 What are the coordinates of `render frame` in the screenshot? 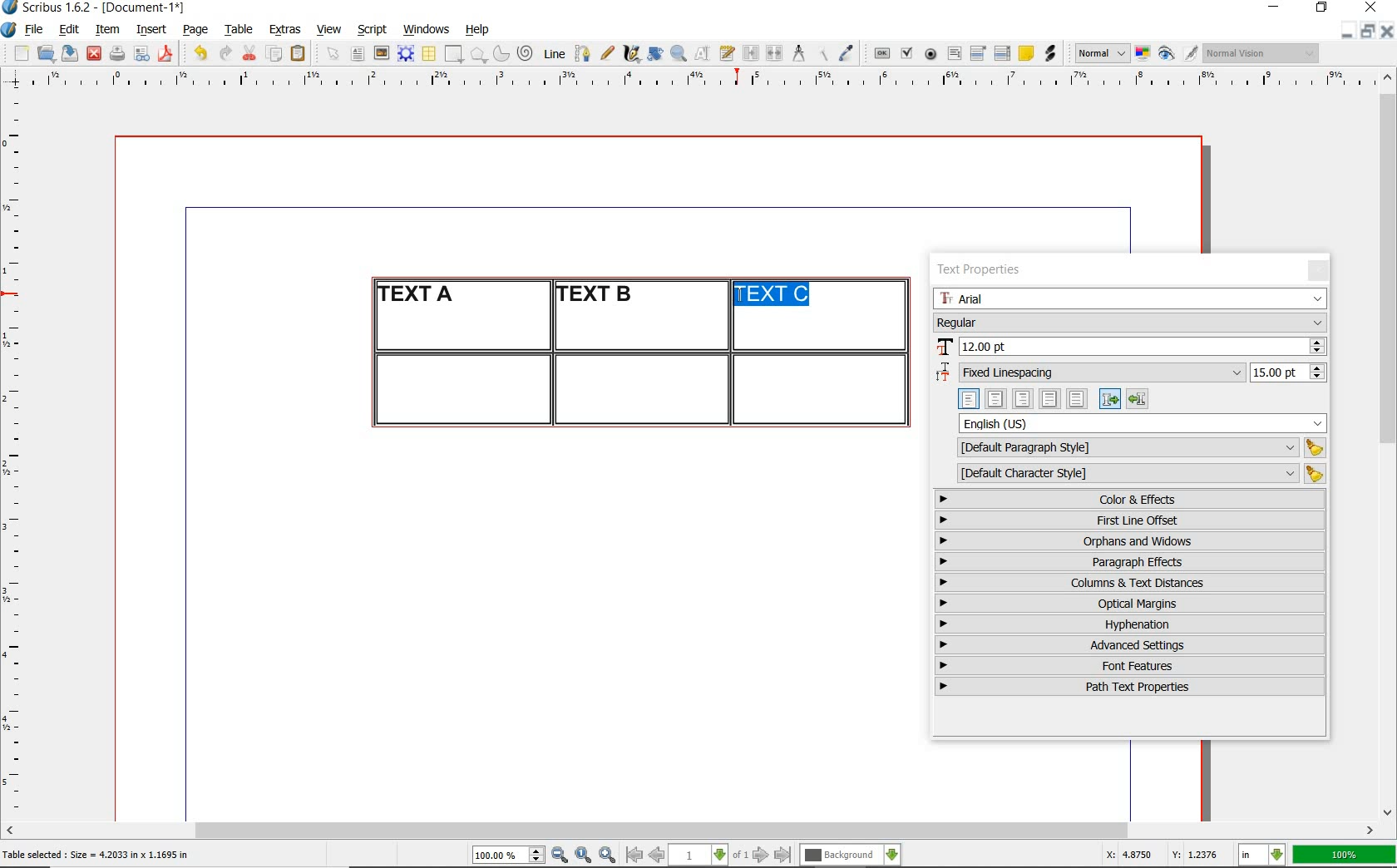 It's located at (406, 54).